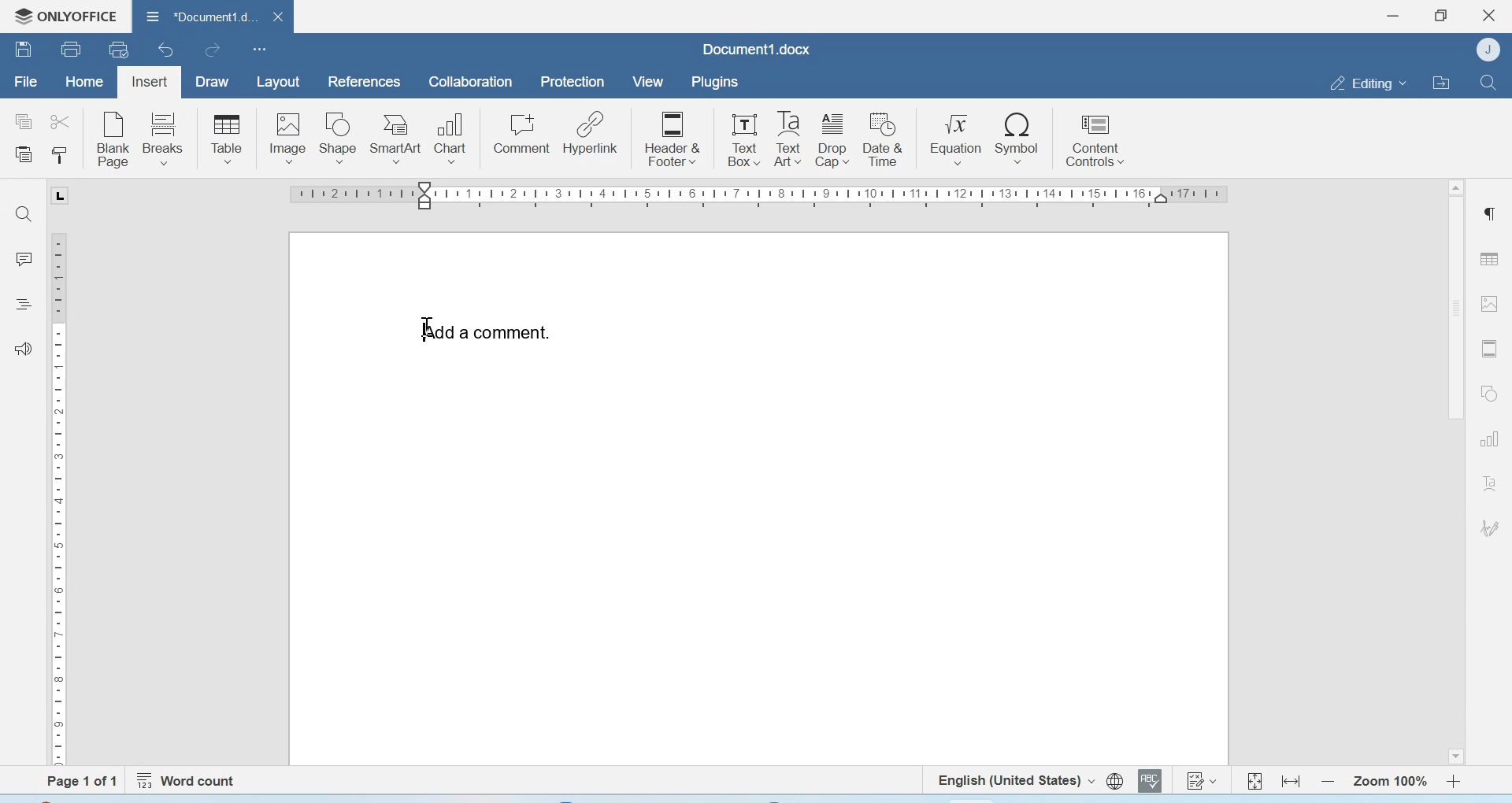 Image resolution: width=1512 pixels, height=803 pixels. Describe the element at coordinates (1388, 782) in the screenshot. I see `Zoom` at that location.